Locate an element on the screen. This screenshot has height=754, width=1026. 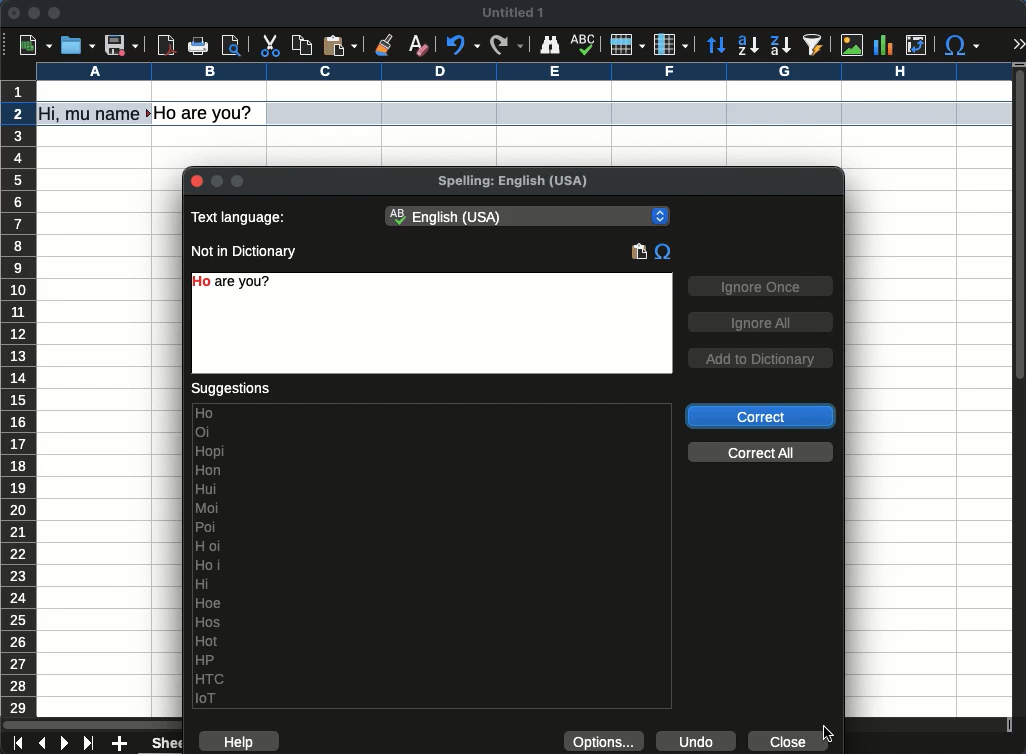
row selected is located at coordinates (639, 113).